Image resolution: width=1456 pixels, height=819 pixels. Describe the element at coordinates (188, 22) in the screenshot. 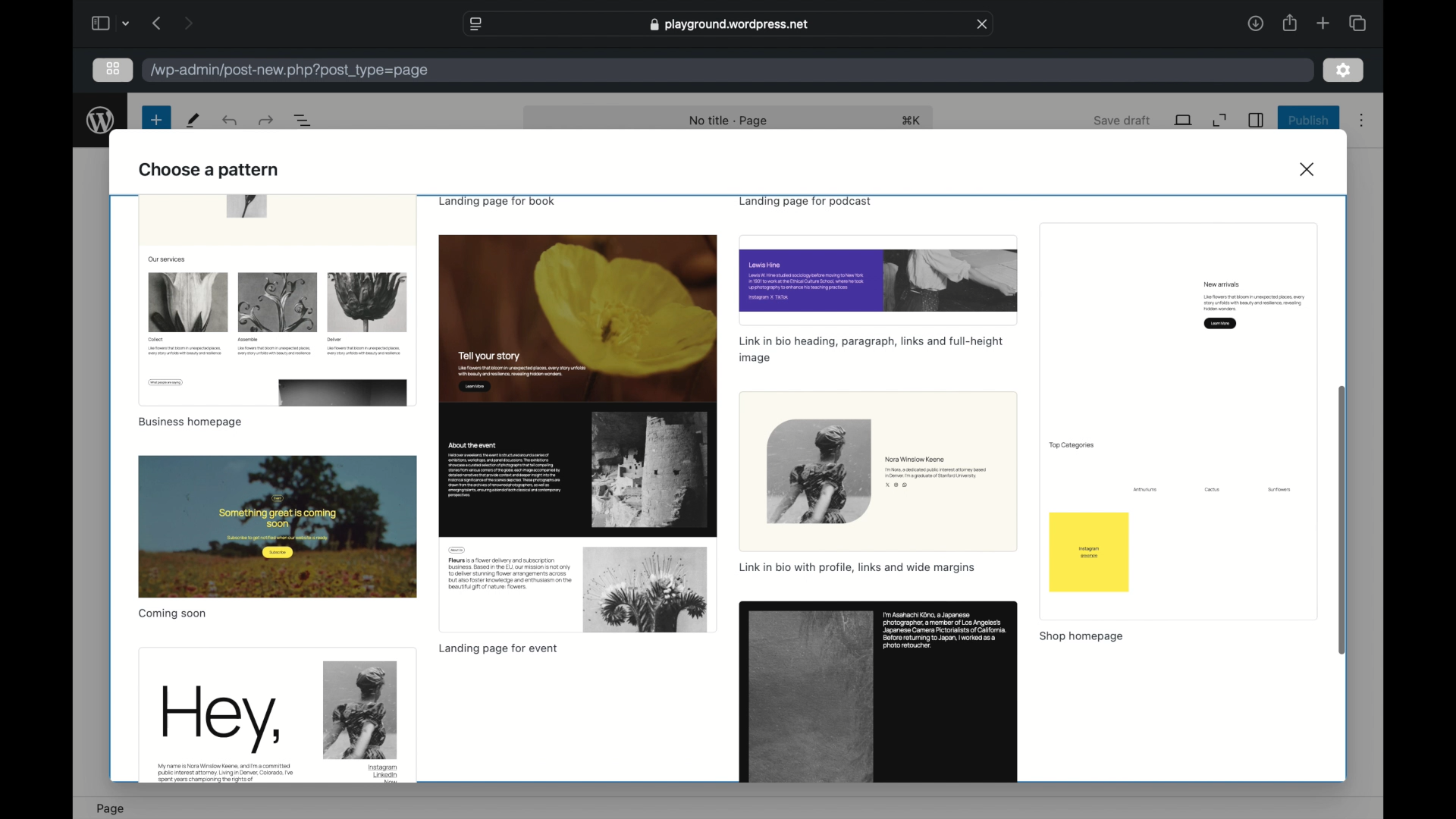

I see `next page` at that location.